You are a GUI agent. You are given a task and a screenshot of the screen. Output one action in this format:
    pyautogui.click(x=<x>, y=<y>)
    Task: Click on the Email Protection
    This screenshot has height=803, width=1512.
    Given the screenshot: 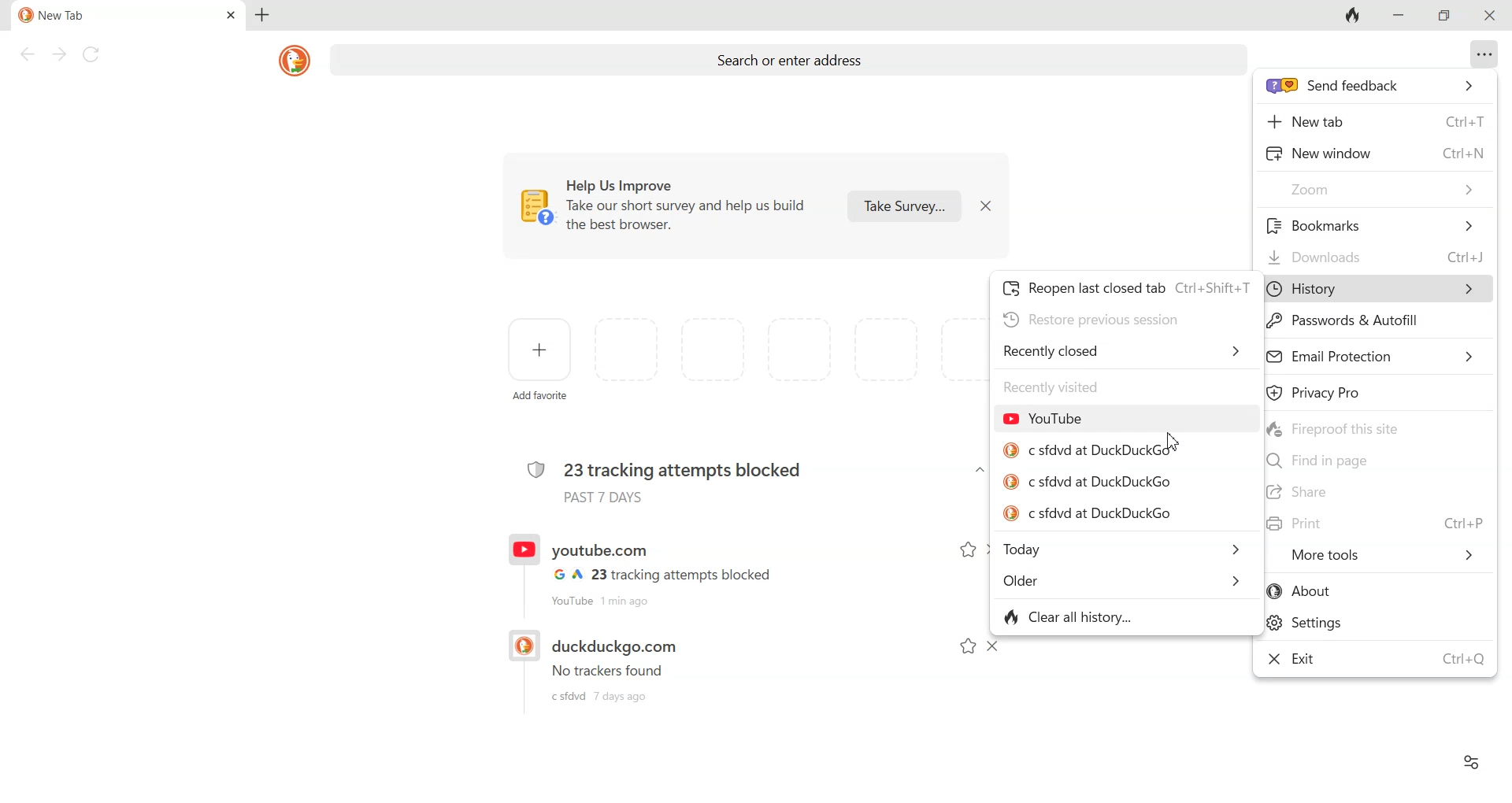 What is the action you would take?
    pyautogui.click(x=1374, y=355)
    